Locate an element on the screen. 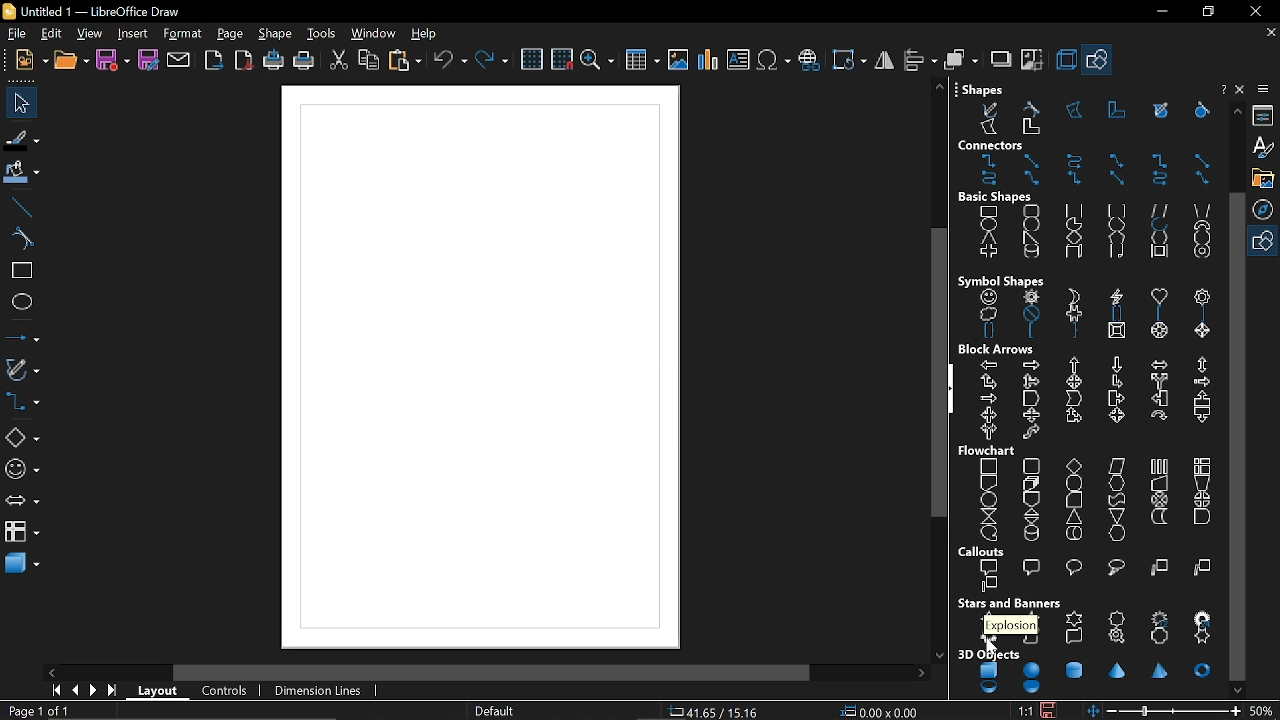 This screenshot has height=720, width=1280. Horizontal scroll bar is located at coordinates (496, 671).